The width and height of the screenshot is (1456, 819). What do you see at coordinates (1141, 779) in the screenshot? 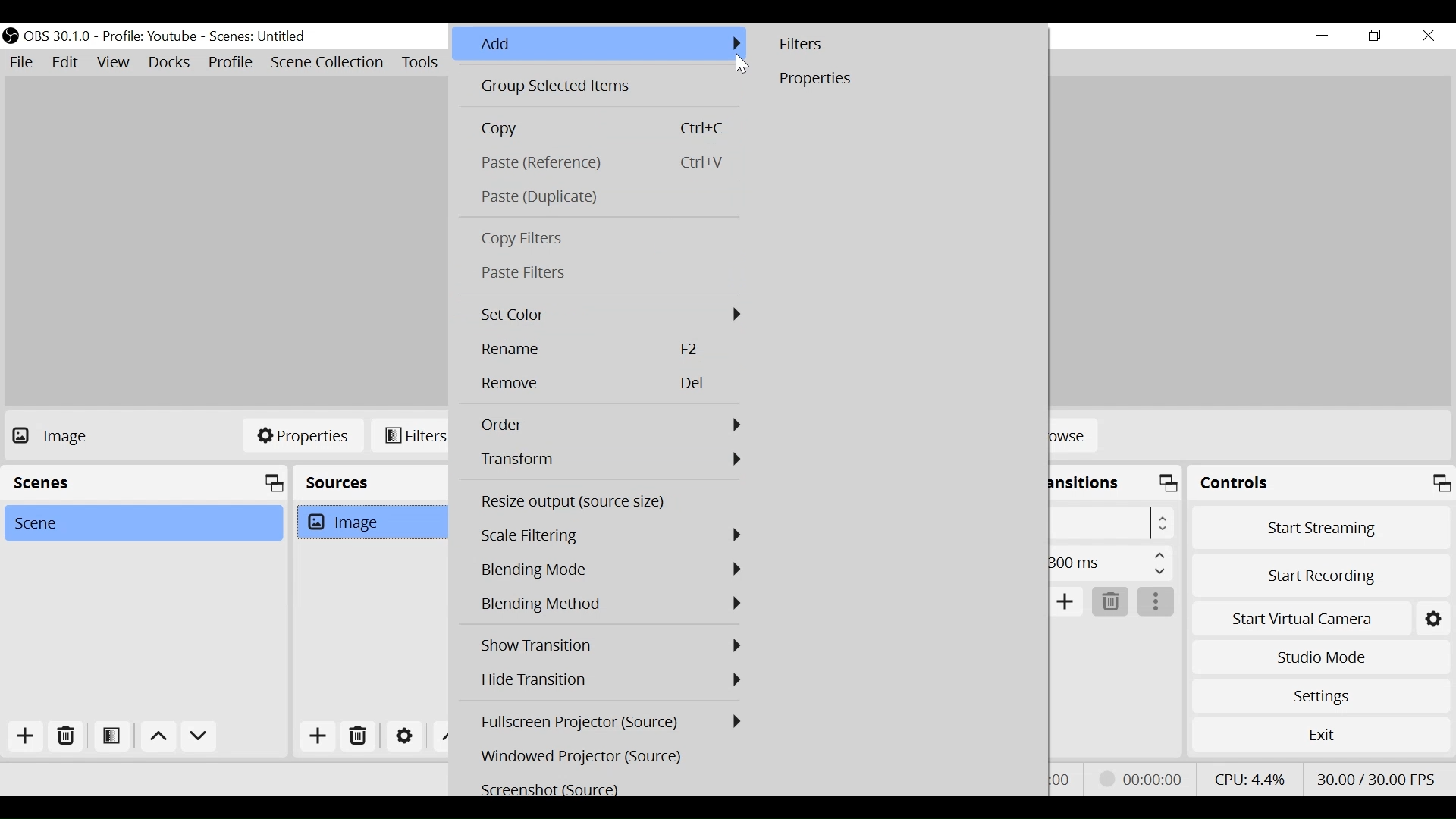
I see `Recording Status` at bounding box center [1141, 779].